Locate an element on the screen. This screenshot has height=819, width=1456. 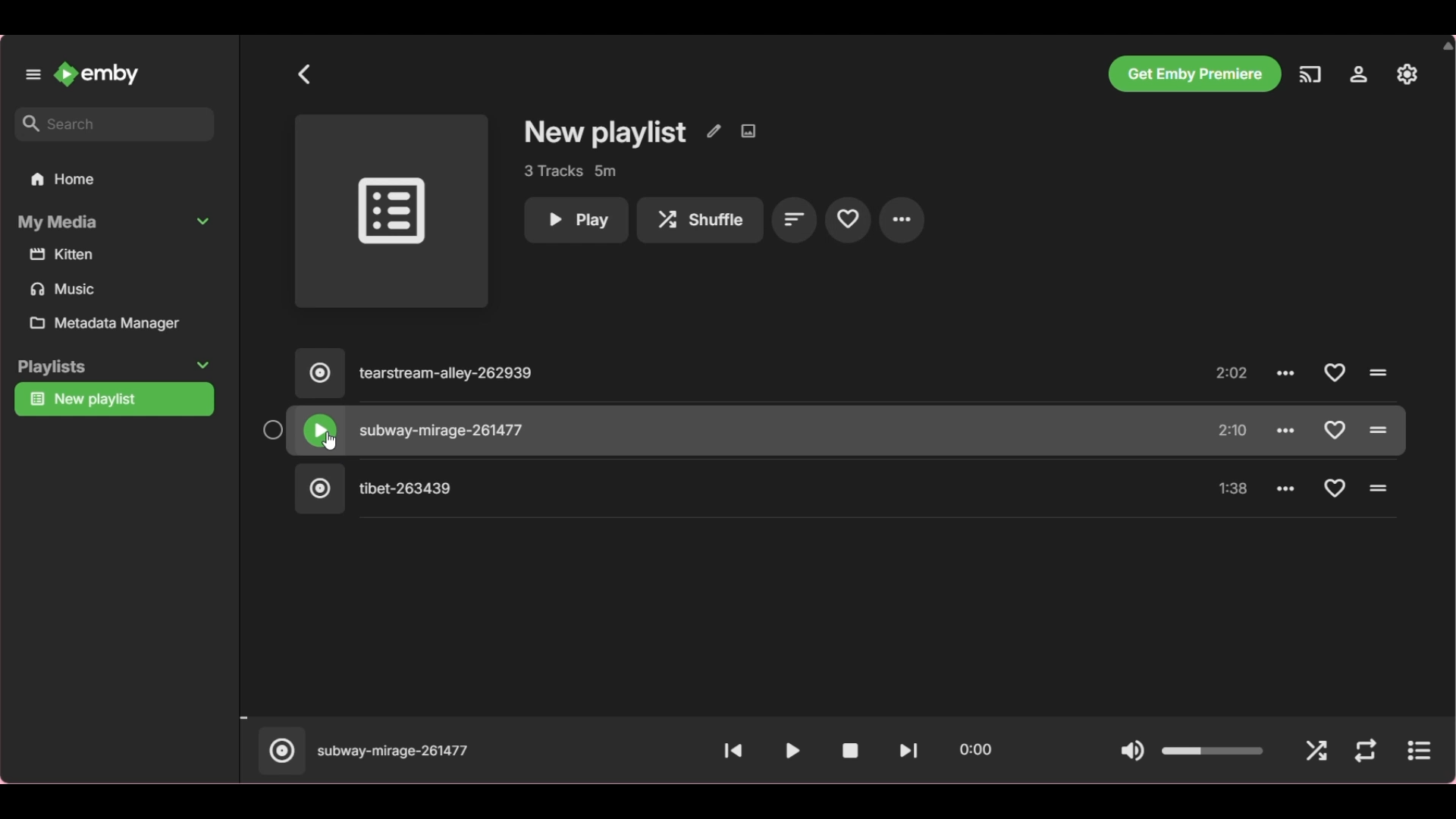
Timestamp of song is located at coordinates (974, 749).